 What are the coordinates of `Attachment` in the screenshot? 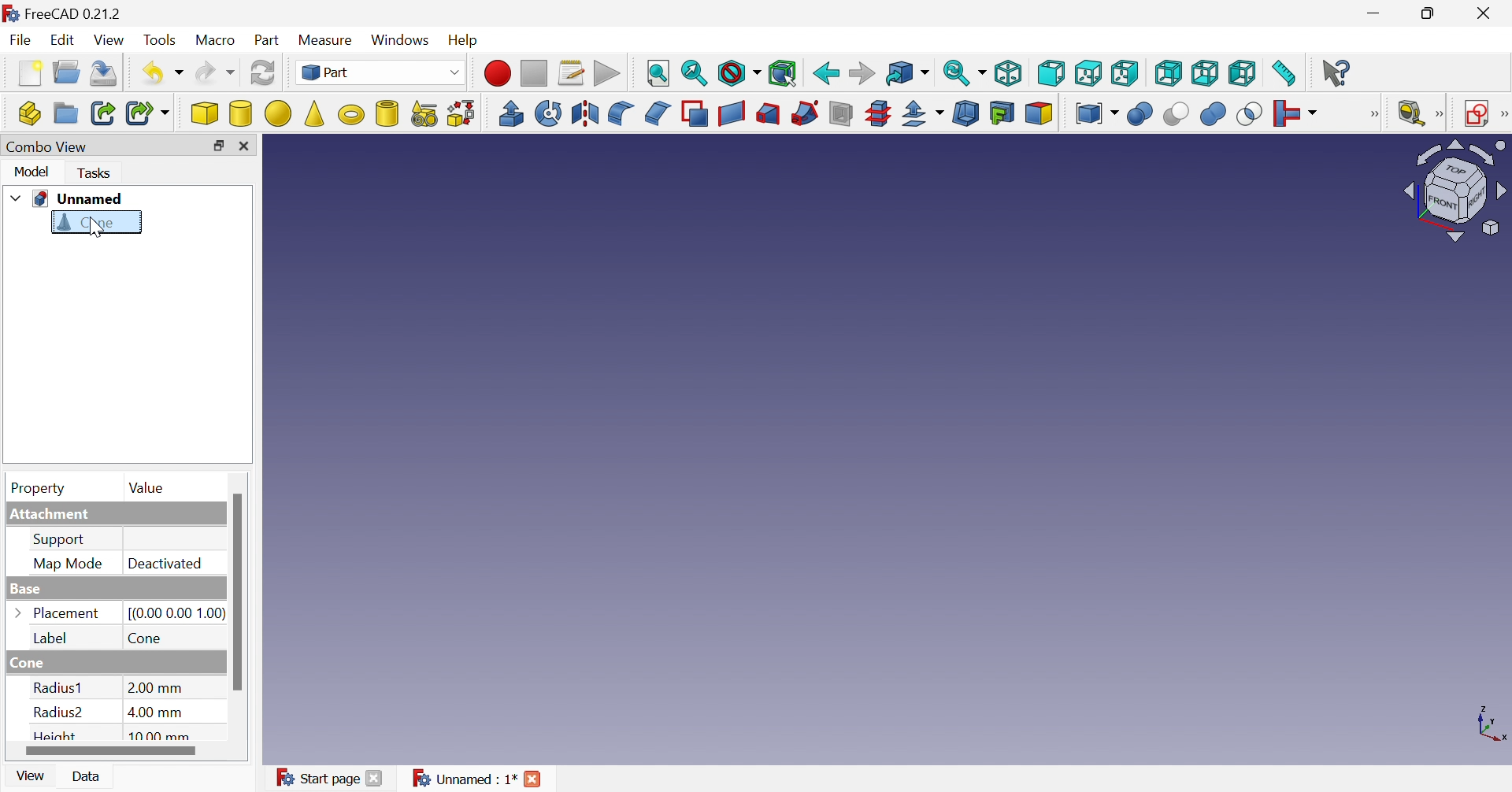 It's located at (51, 513).